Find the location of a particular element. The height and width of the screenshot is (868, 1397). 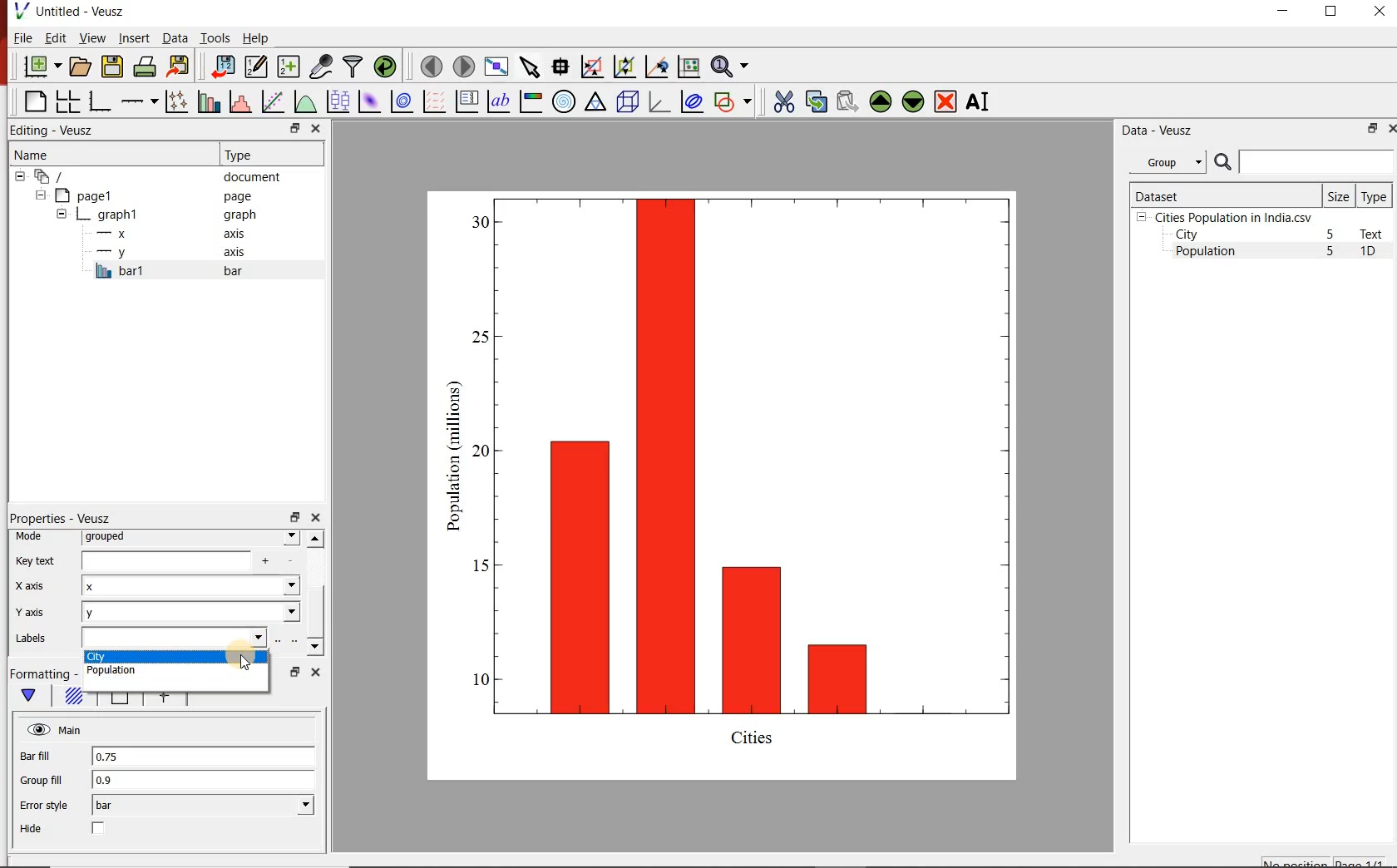

histogram of a dataset is located at coordinates (238, 101).